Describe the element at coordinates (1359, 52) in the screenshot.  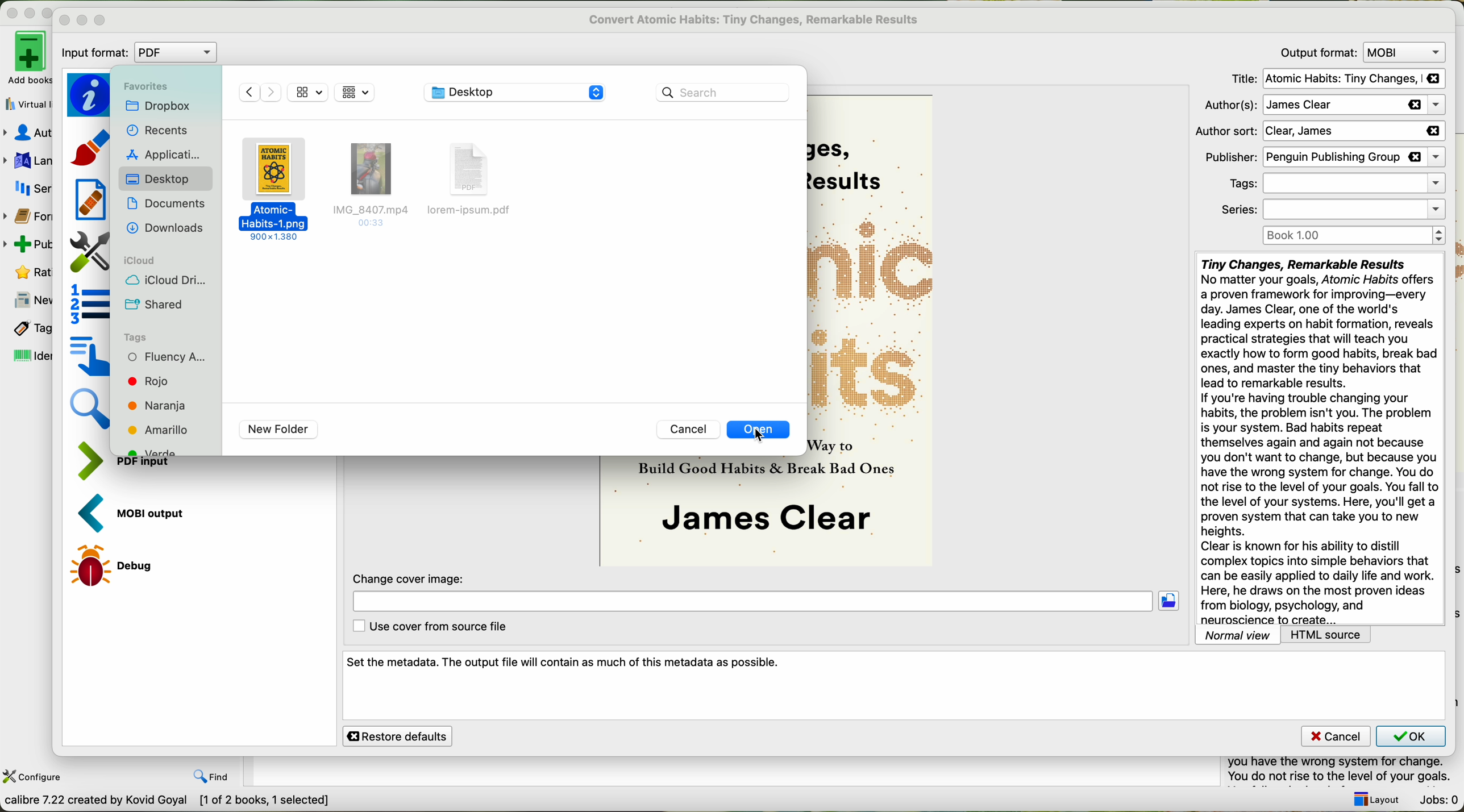
I see `output format: MOVI` at that location.